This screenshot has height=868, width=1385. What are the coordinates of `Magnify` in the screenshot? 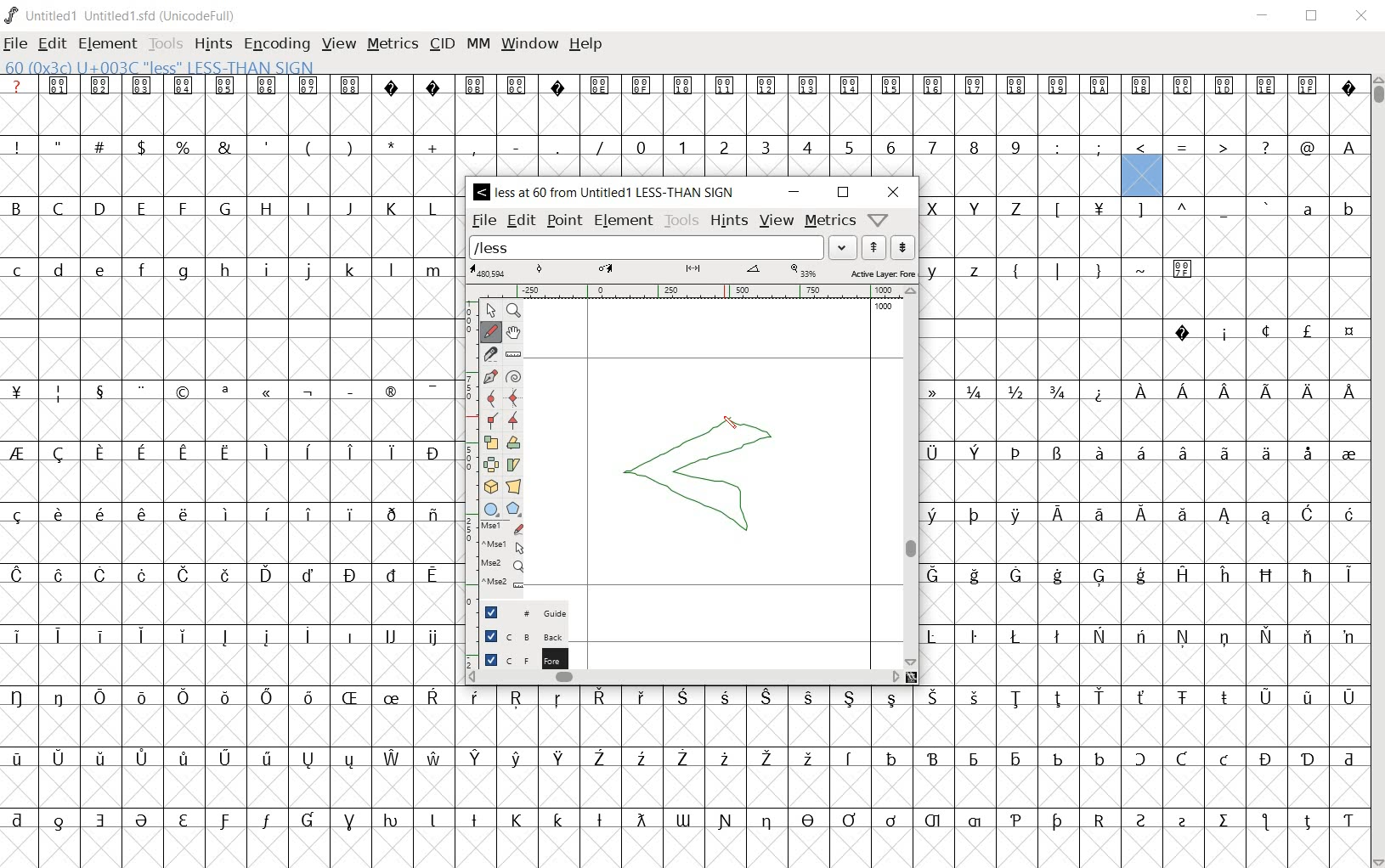 It's located at (515, 311).